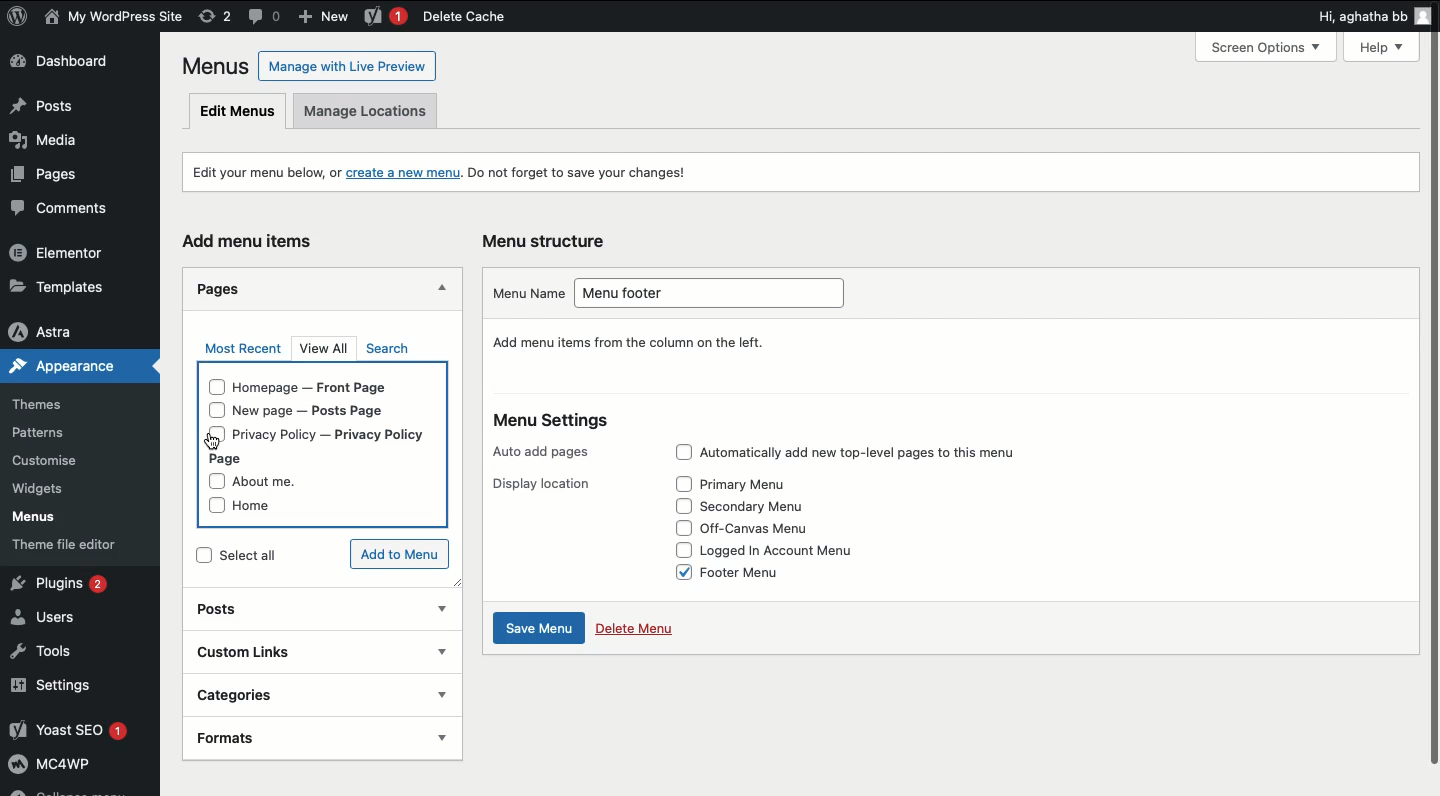 This screenshot has width=1440, height=796. I want to click on Help, so click(1386, 45).